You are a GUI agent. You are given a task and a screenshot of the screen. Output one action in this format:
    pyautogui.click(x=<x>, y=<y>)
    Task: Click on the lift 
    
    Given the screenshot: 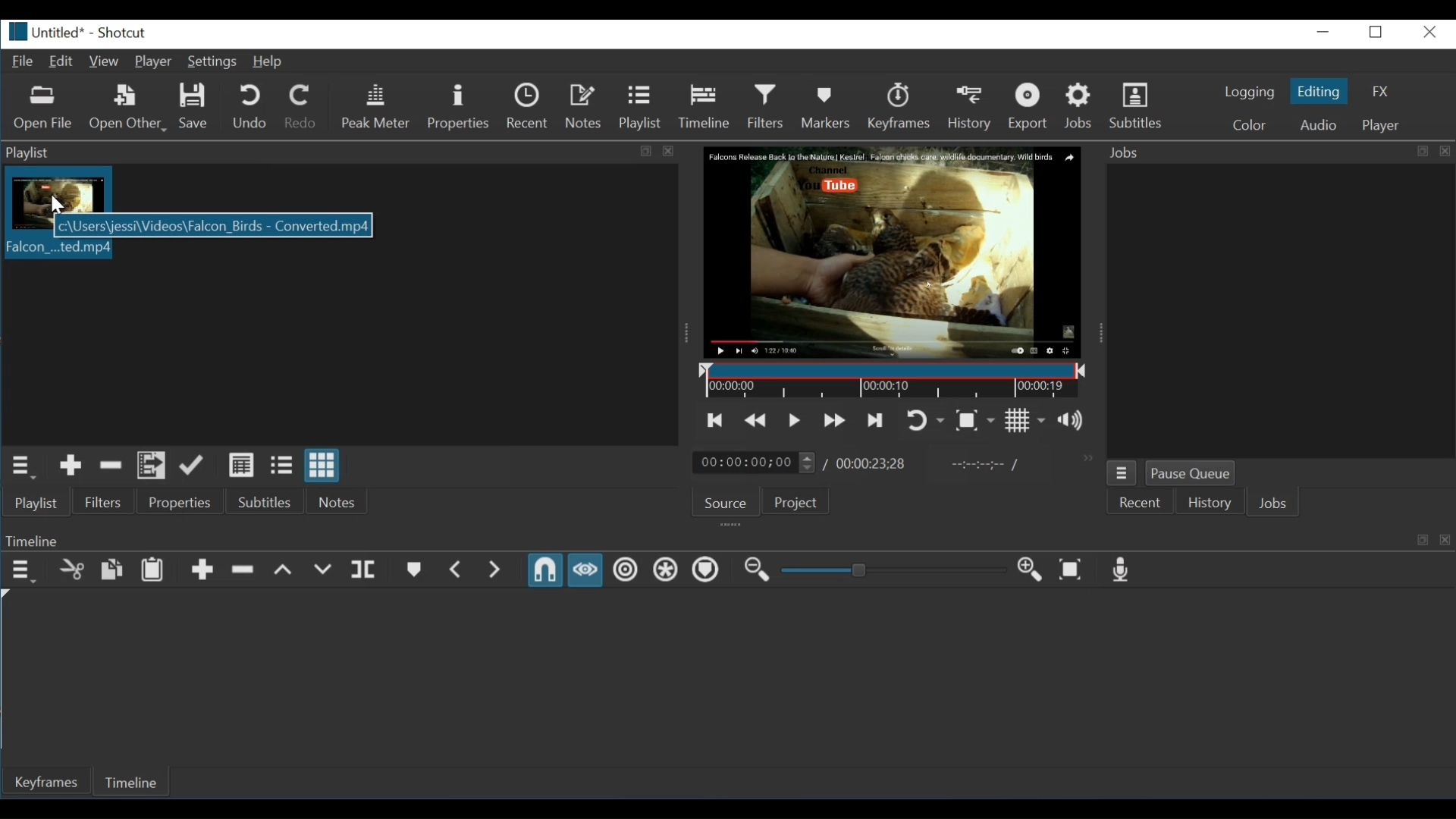 What is the action you would take?
    pyautogui.click(x=284, y=570)
    